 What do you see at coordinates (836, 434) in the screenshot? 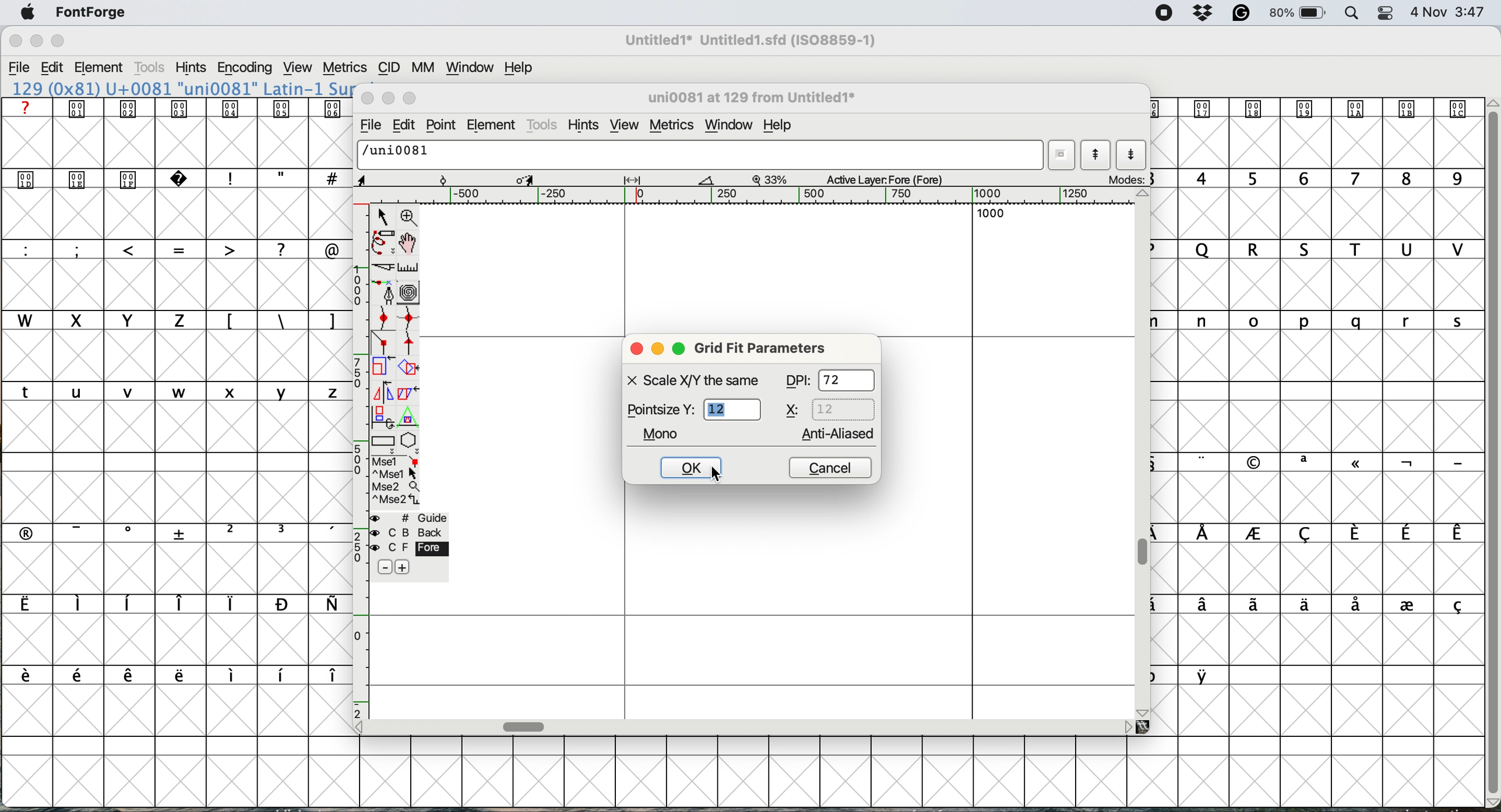
I see `anti aliased` at bounding box center [836, 434].